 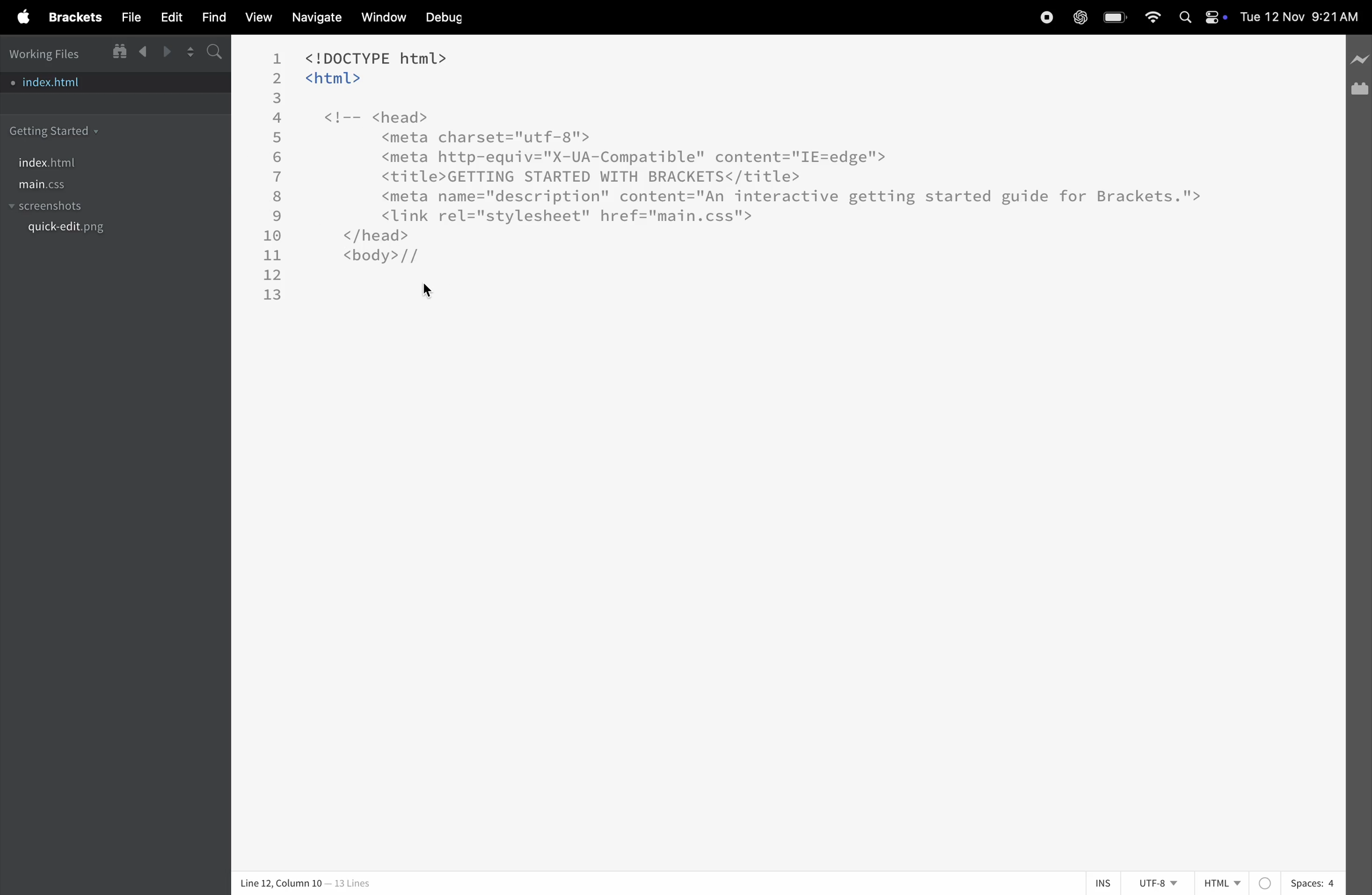 What do you see at coordinates (1077, 17) in the screenshot?
I see `chatgpt` at bounding box center [1077, 17].